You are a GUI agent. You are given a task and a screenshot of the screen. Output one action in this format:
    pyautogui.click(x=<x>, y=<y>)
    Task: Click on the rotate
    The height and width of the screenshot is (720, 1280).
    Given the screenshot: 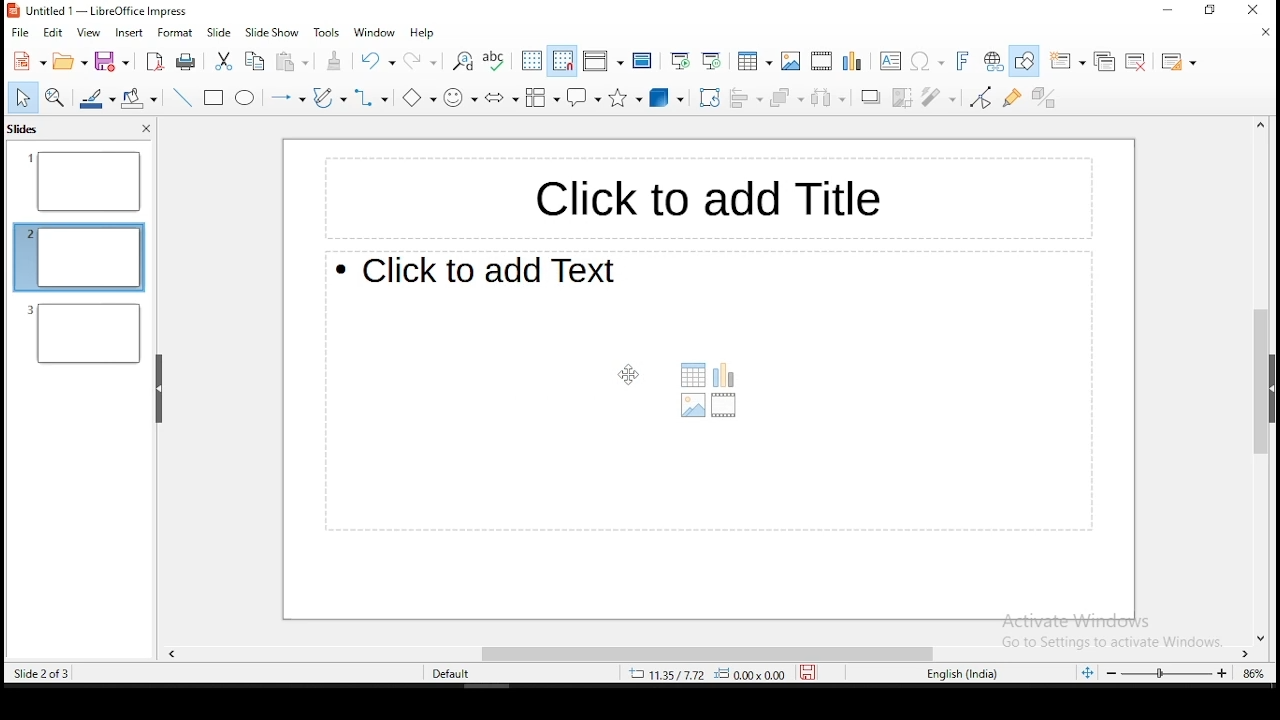 What is the action you would take?
    pyautogui.click(x=709, y=99)
    